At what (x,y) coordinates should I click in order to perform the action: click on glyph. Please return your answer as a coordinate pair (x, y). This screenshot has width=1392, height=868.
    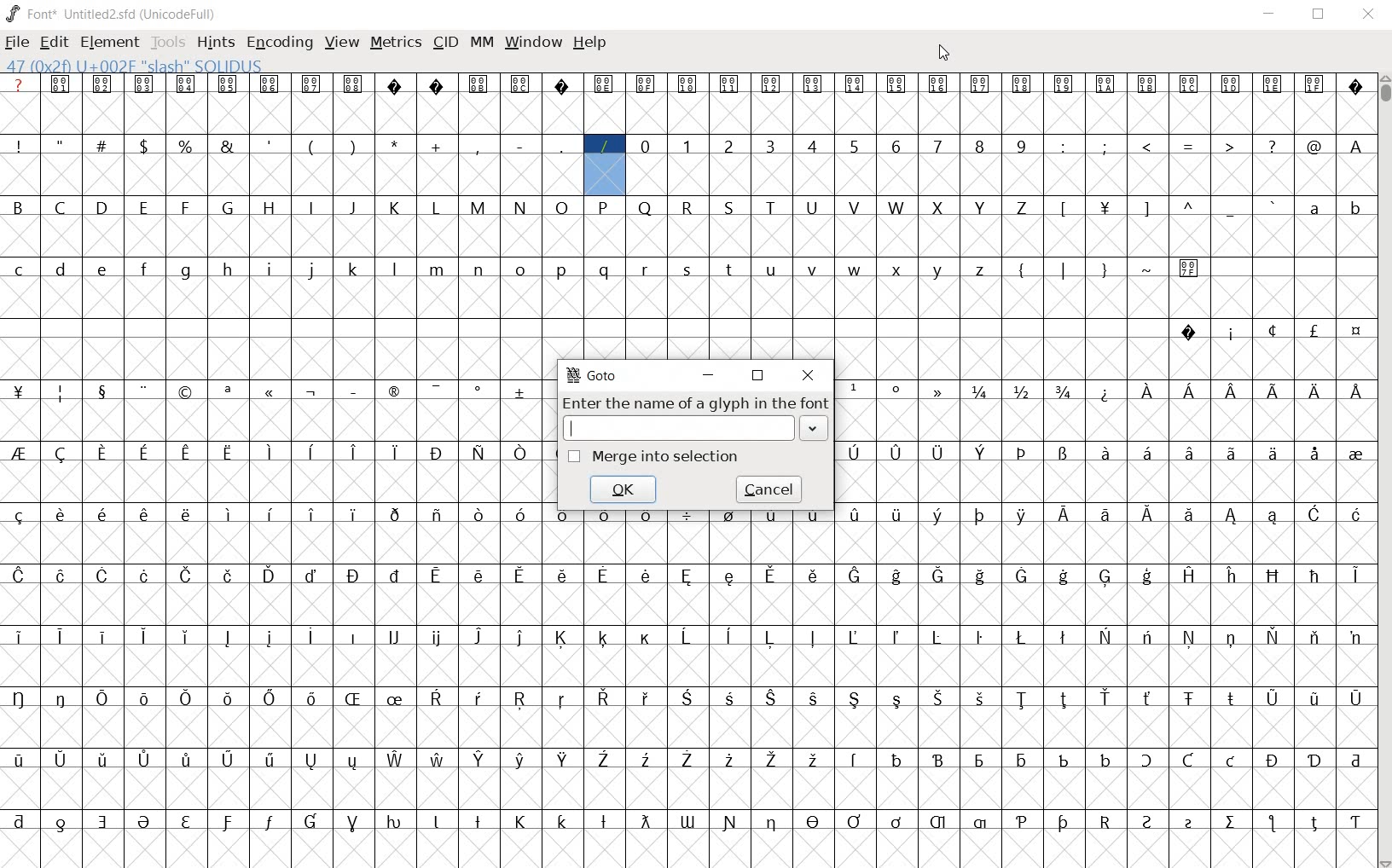
    Looking at the image, I should click on (145, 699).